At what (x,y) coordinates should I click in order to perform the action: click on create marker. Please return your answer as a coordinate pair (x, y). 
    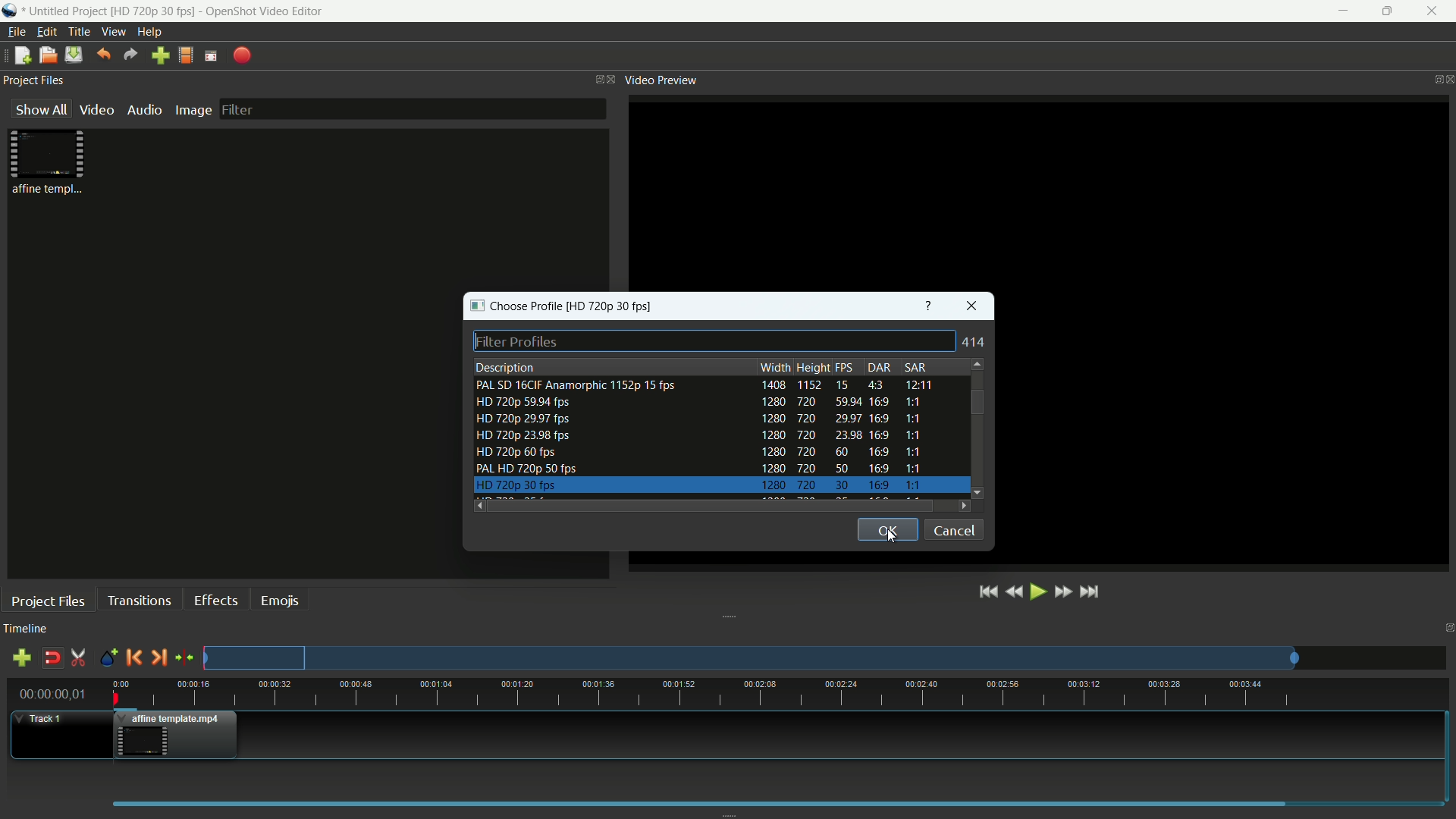
    Looking at the image, I should click on (106, 658).